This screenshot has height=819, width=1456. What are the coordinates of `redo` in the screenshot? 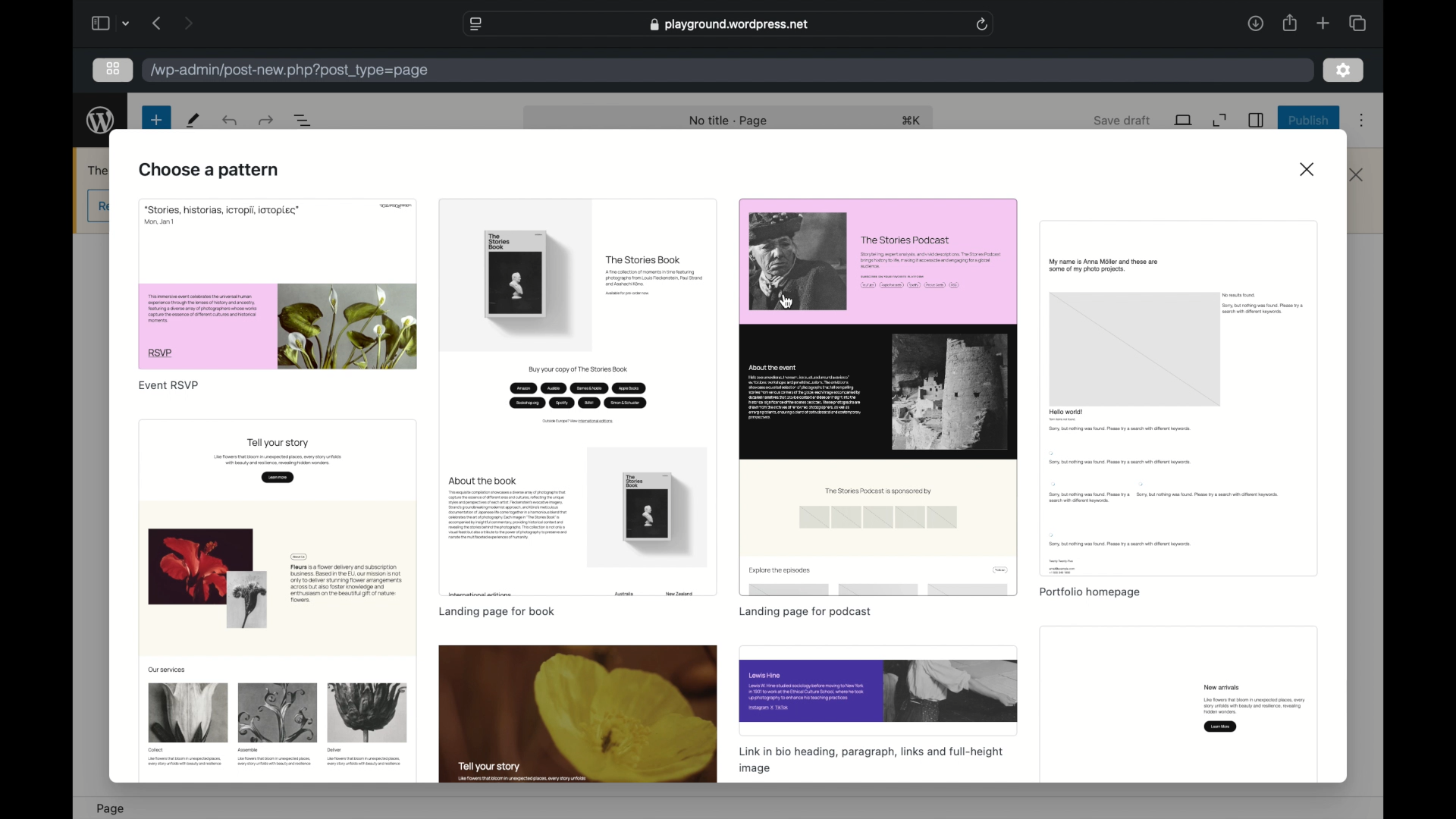 It's located at (231, 120).